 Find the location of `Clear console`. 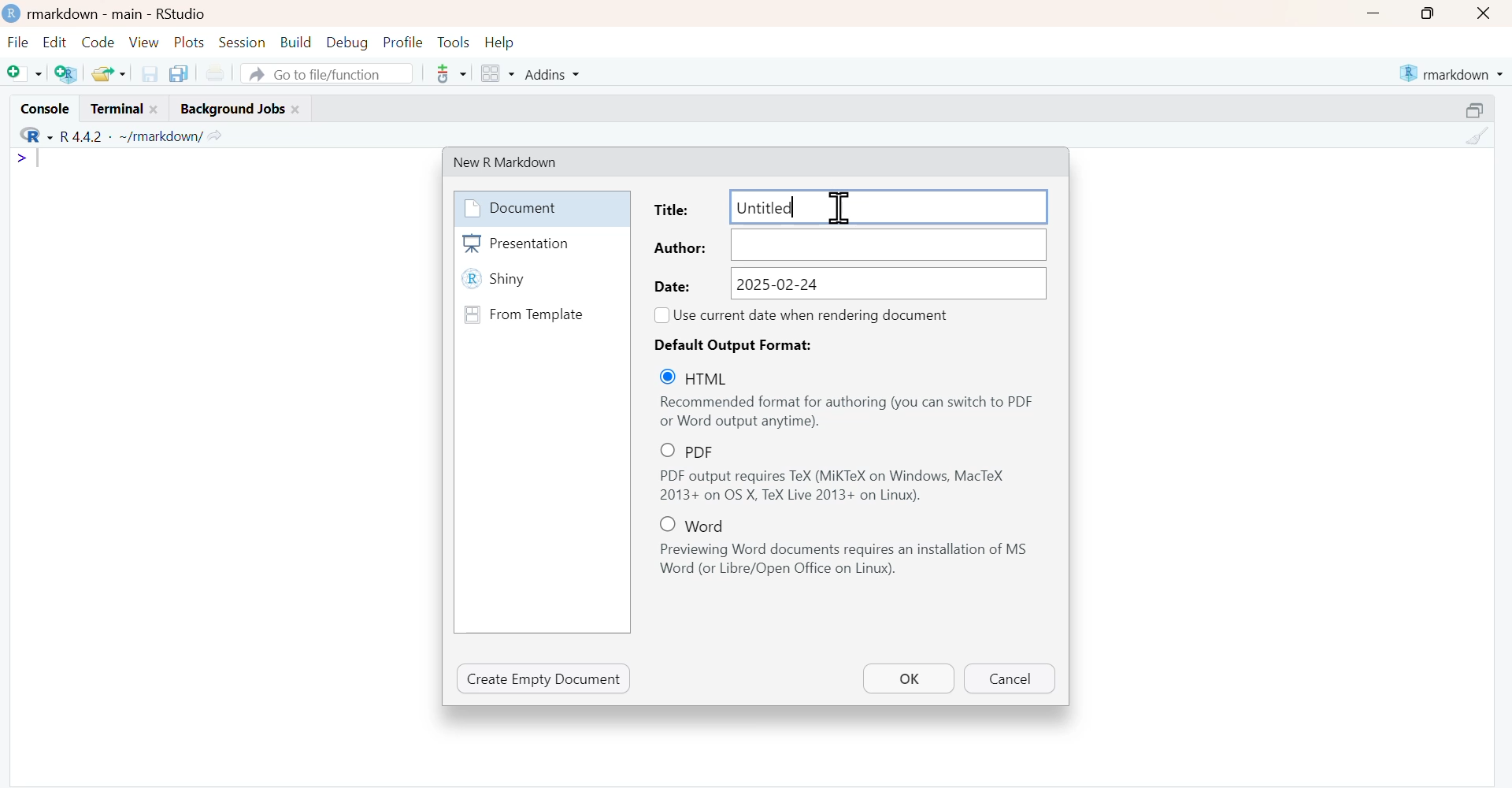

Clear console is located at coordinates (1476, 136).